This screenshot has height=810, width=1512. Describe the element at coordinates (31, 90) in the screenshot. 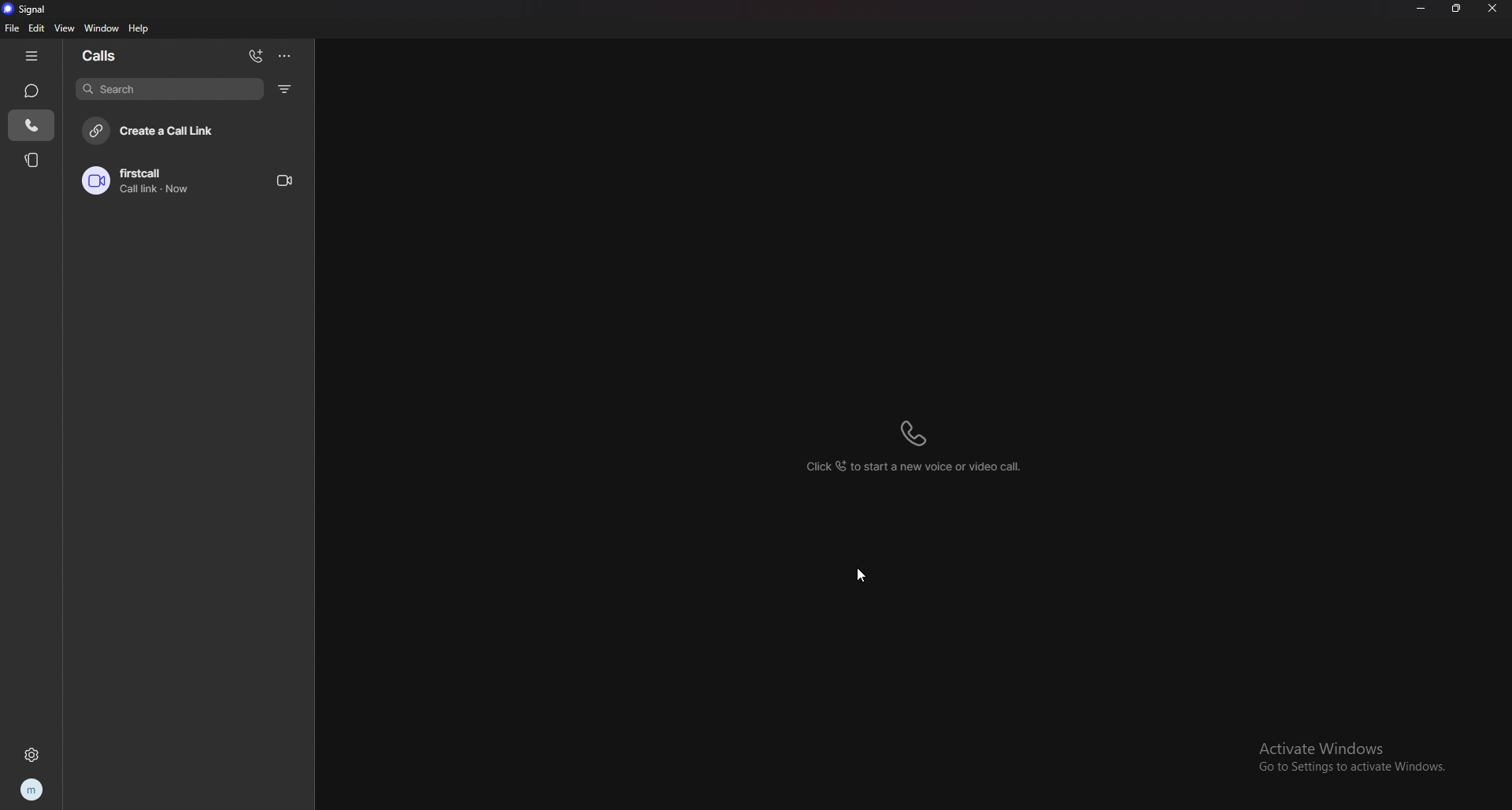

I see `chats` at that location.